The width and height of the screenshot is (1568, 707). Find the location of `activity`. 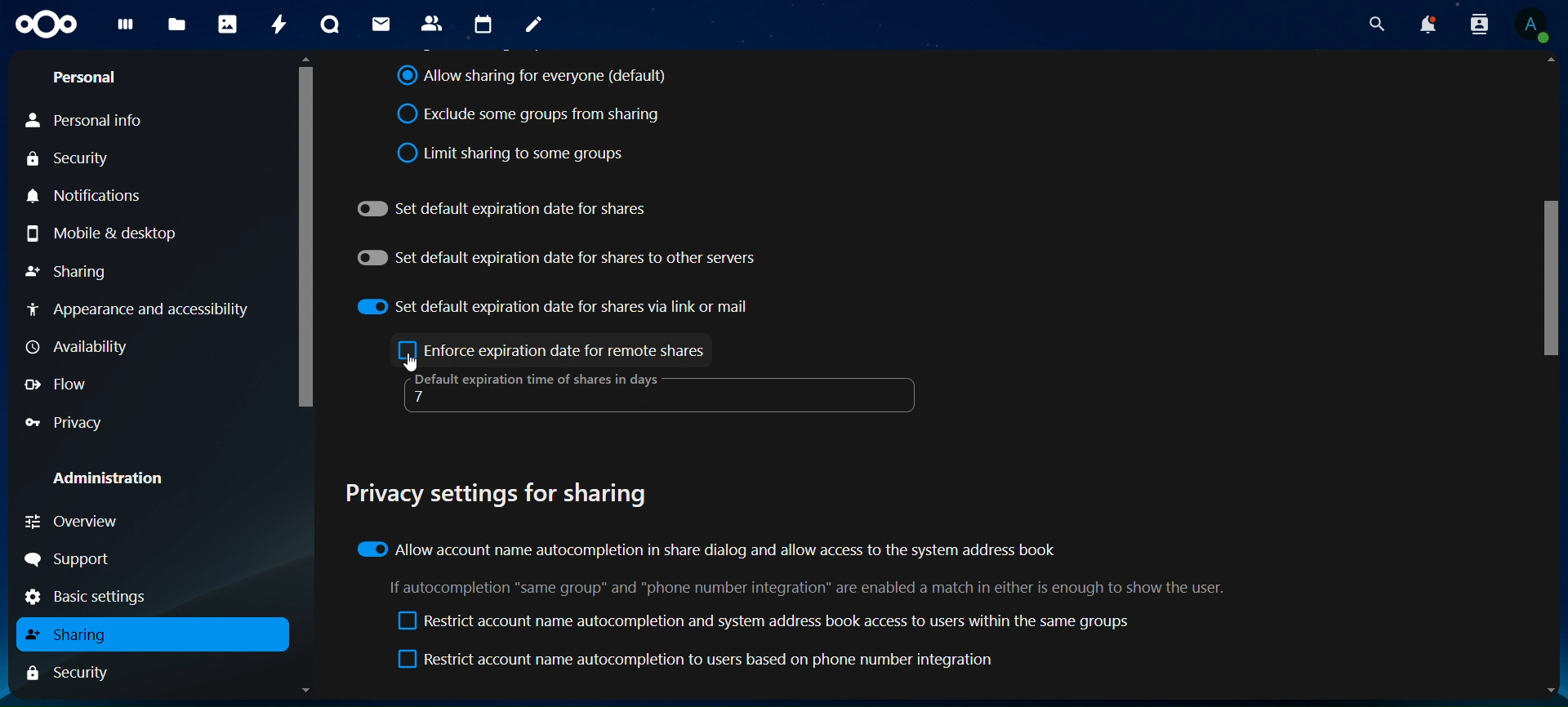

activity is located at coordinates (274, 23).